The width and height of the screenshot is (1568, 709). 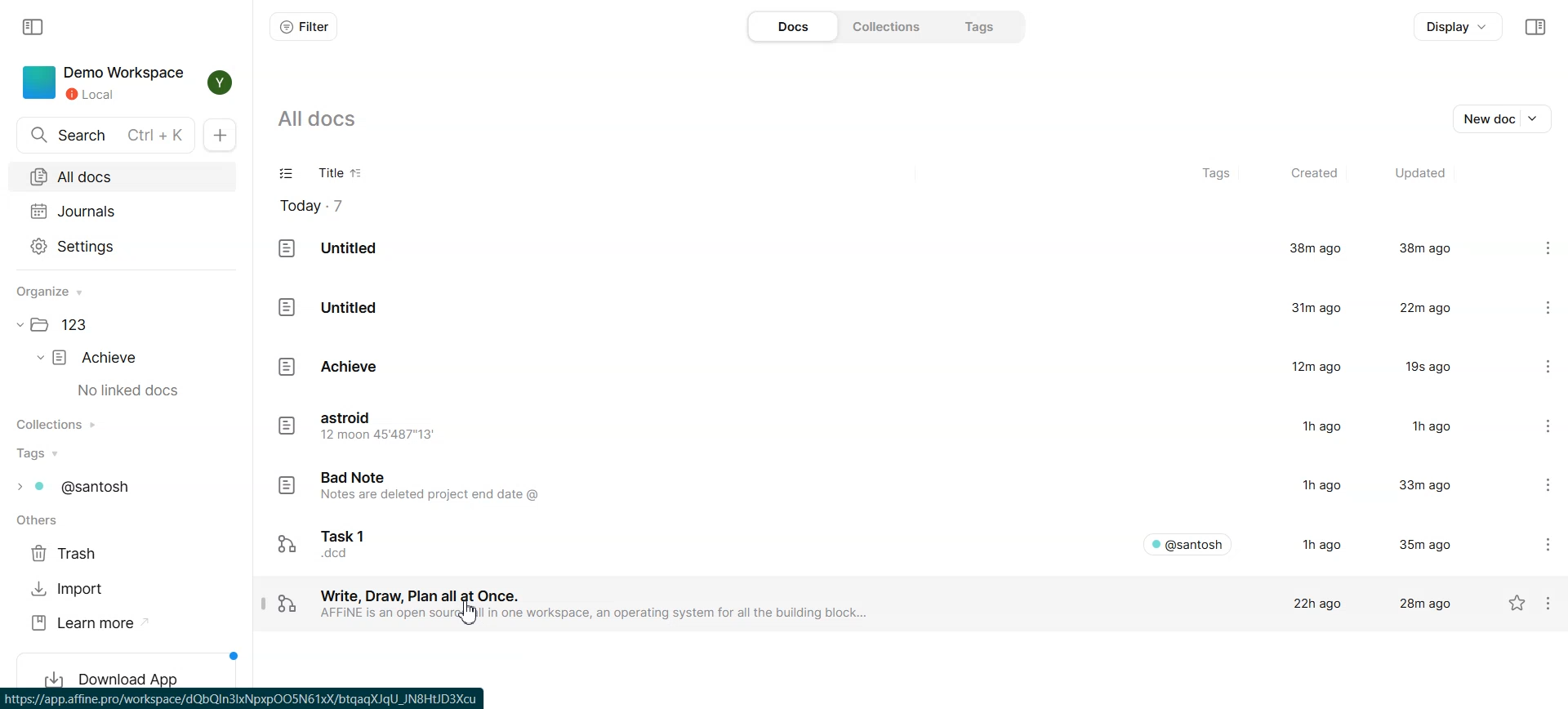 What do you see at coordinates (975, 26) in the screenshot?
I see `Tags` at bounding box center [975, 26].